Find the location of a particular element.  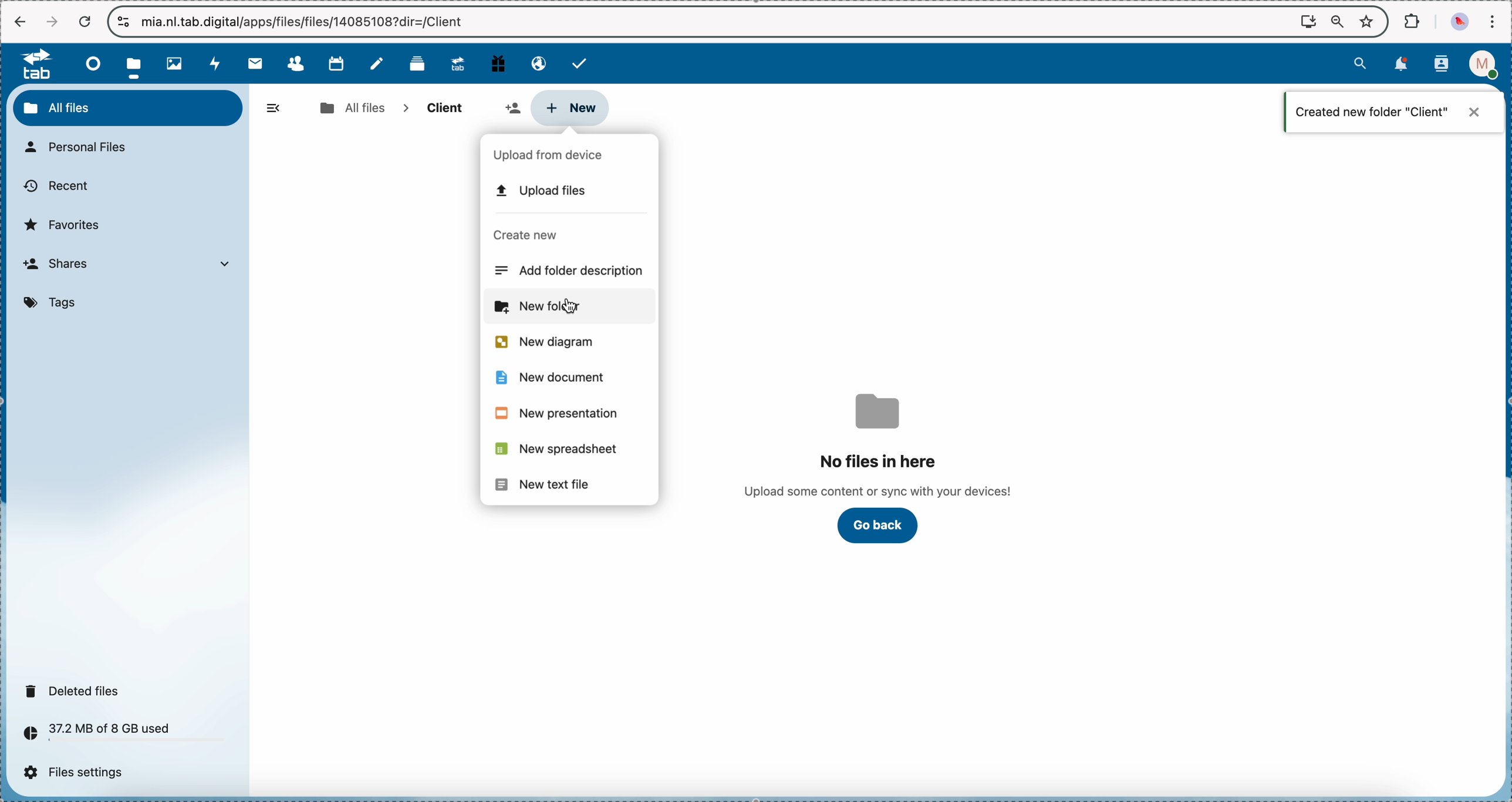

files settings is located at coordinates (79, 773).